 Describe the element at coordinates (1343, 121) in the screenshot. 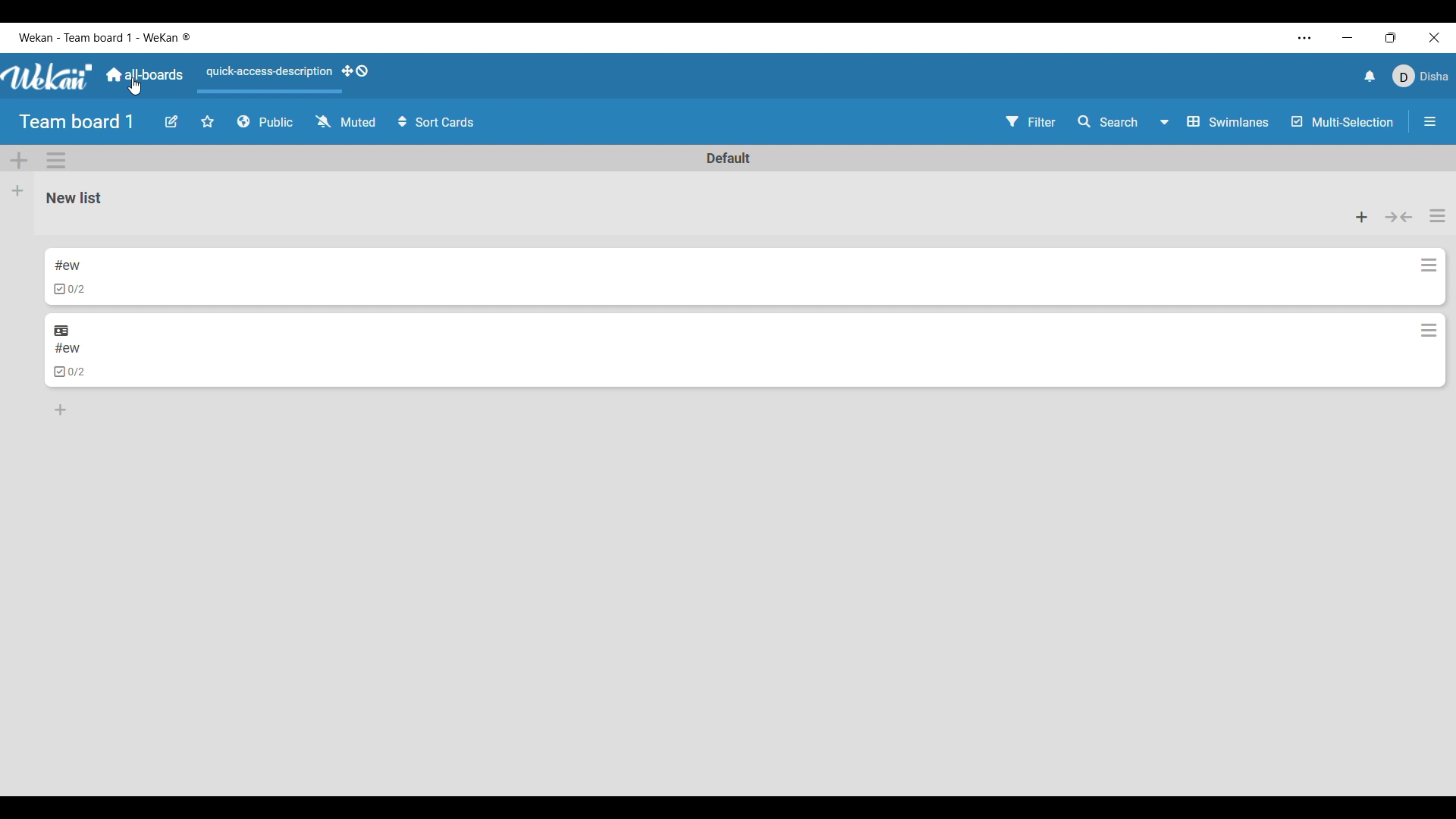

I see `Multi-Selection` at that location.